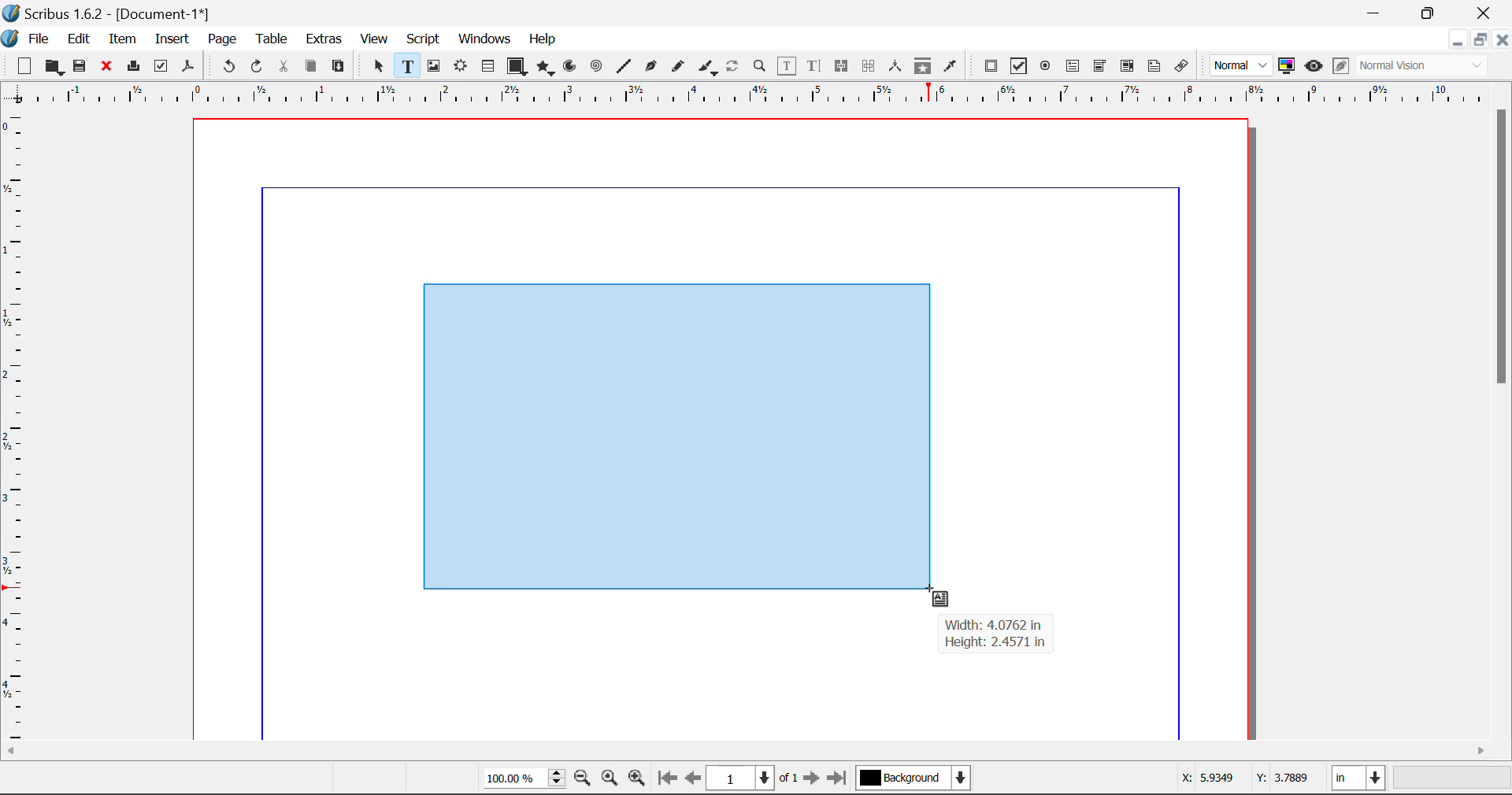 This screenshot has height=795, width=1512. Describe the element at coordinates (1340, 68) in the screenshot. I see `Edit in Preview Mode` at that location.